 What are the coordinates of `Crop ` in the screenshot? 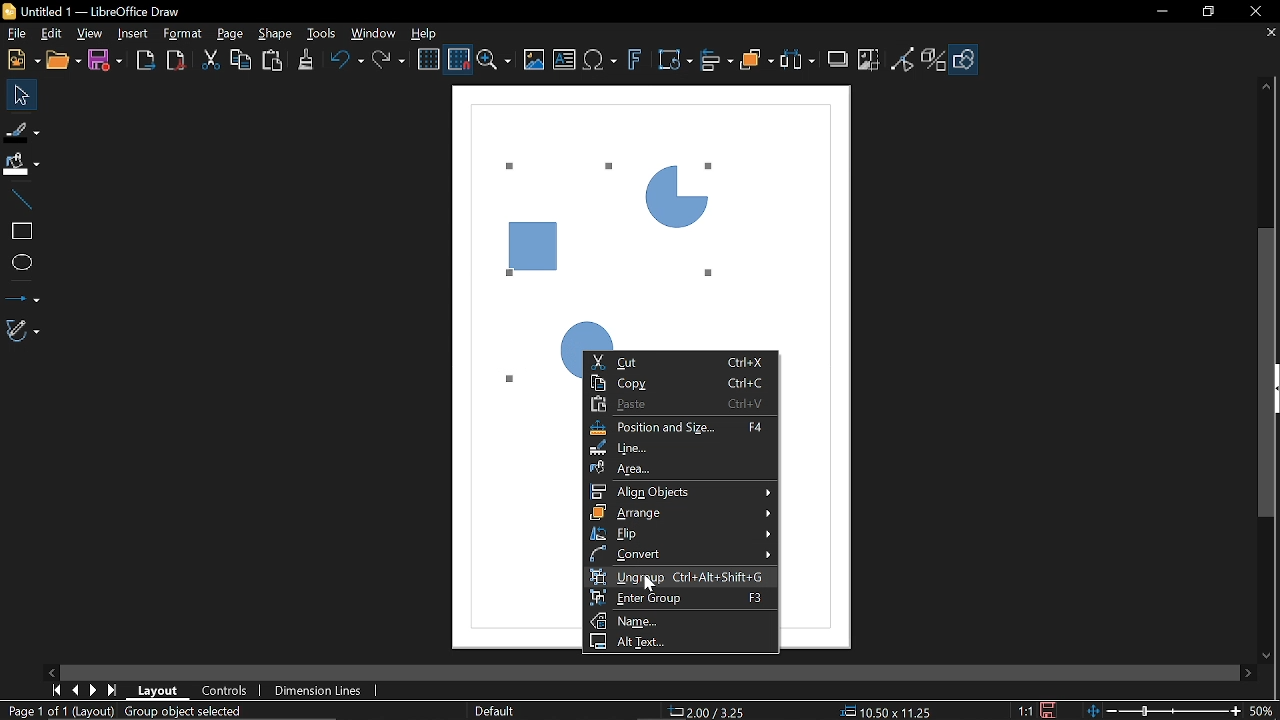 It's located at (869, 60).